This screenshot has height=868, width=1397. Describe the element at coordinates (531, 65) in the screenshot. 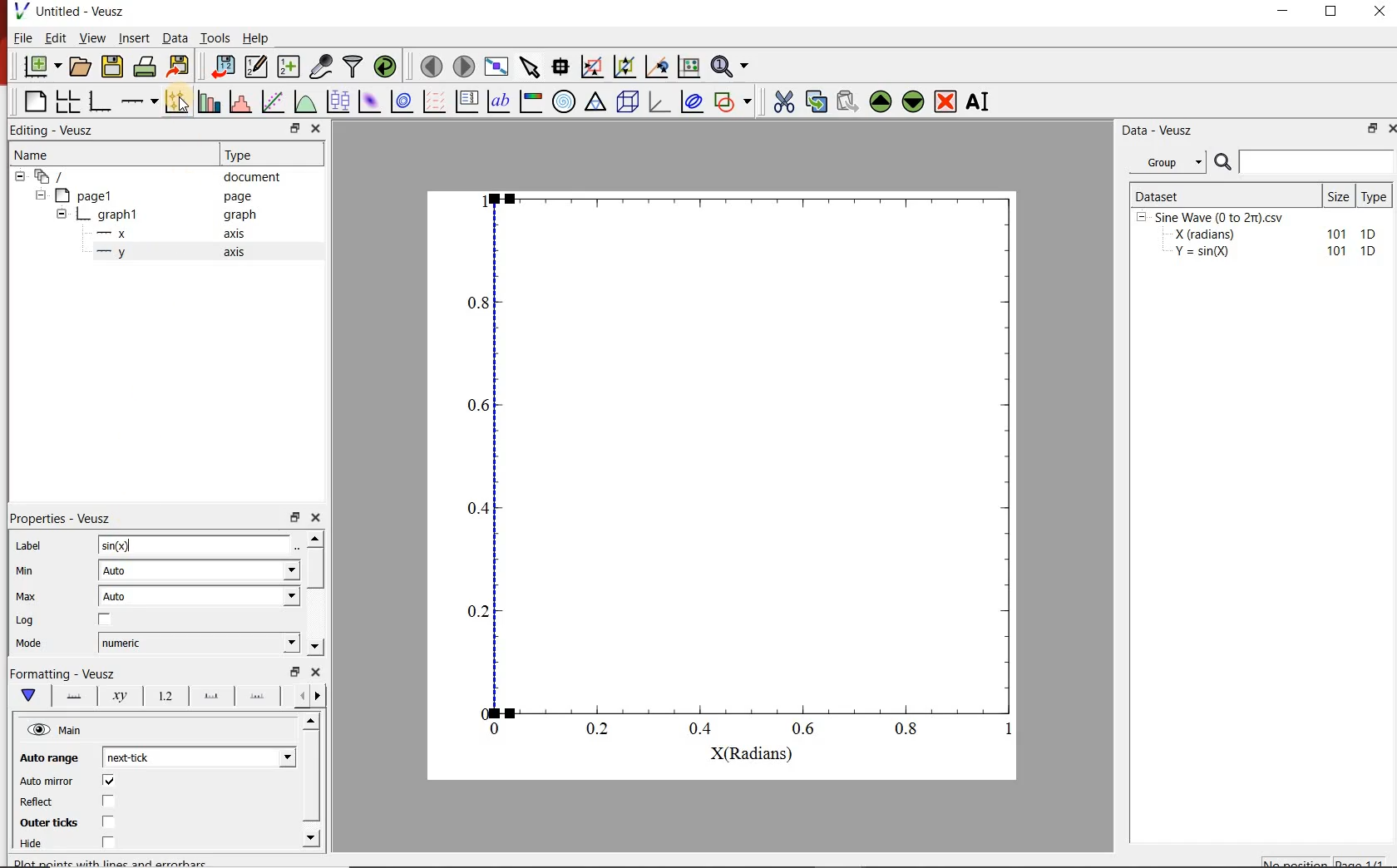

I see `select item from graph` at that location.